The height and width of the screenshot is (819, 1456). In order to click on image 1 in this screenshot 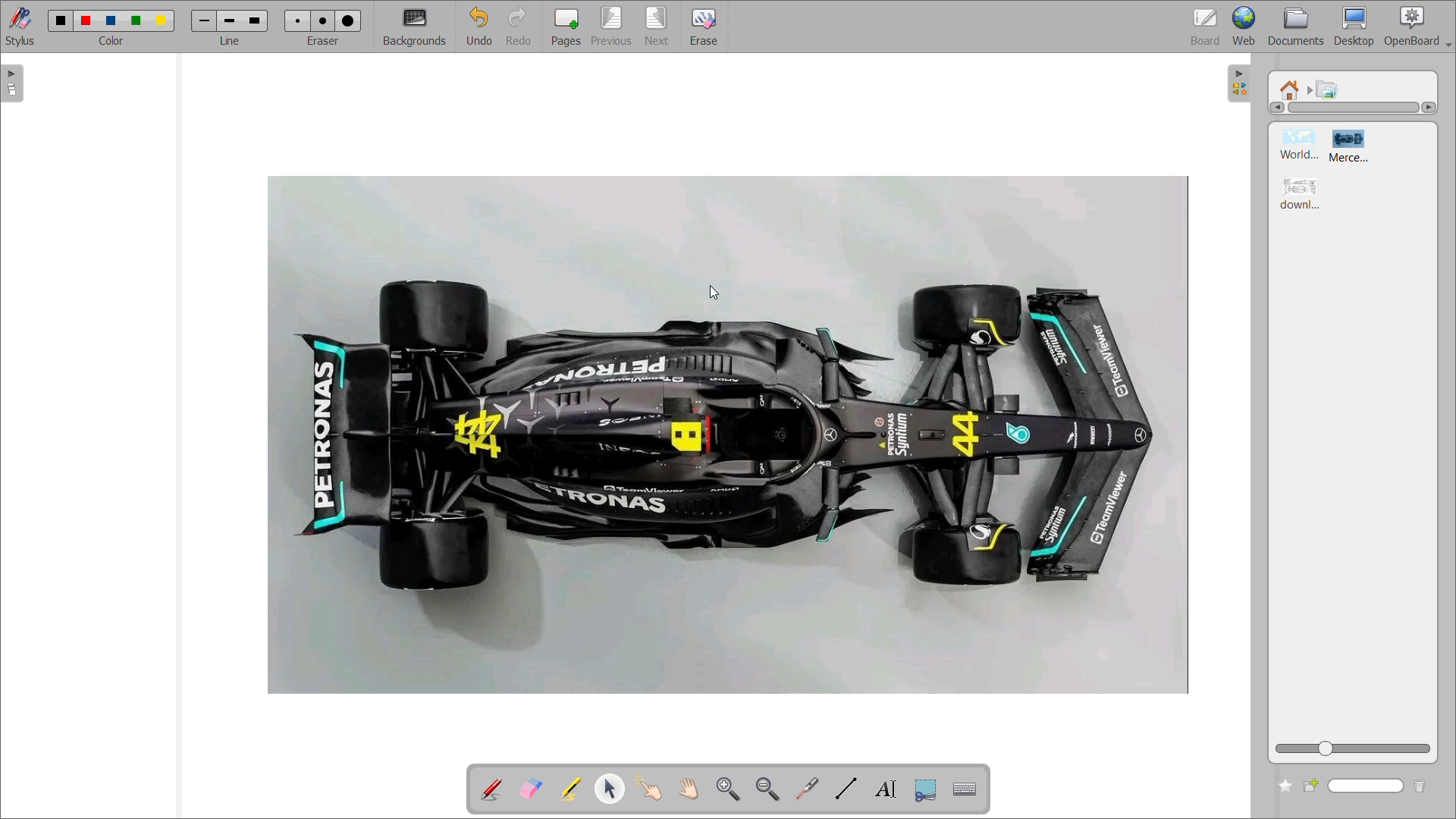, I will do `click(1301, 144)`.